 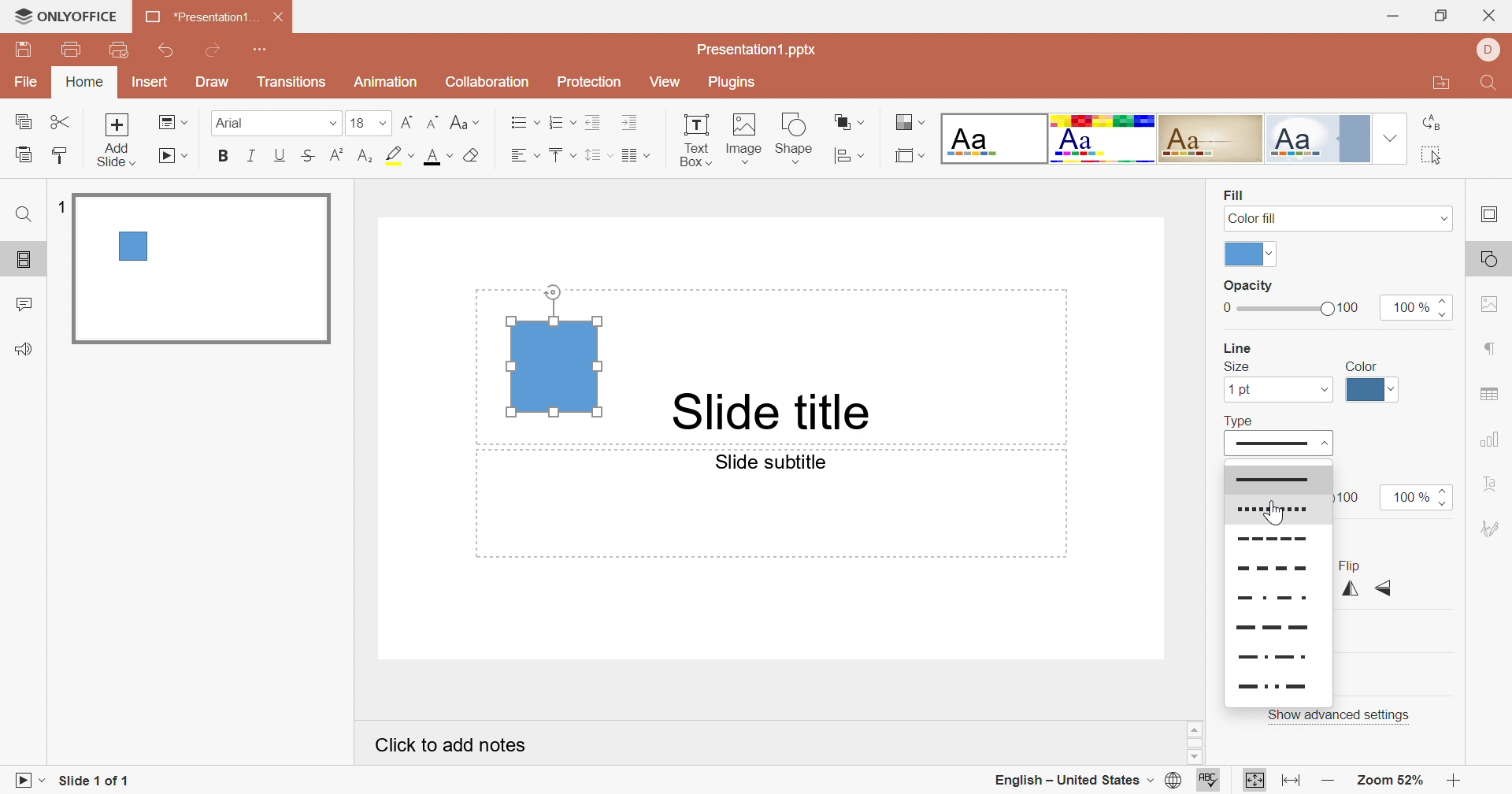 I want to click on Flip Horizontally, so click(x=1346, y=591).